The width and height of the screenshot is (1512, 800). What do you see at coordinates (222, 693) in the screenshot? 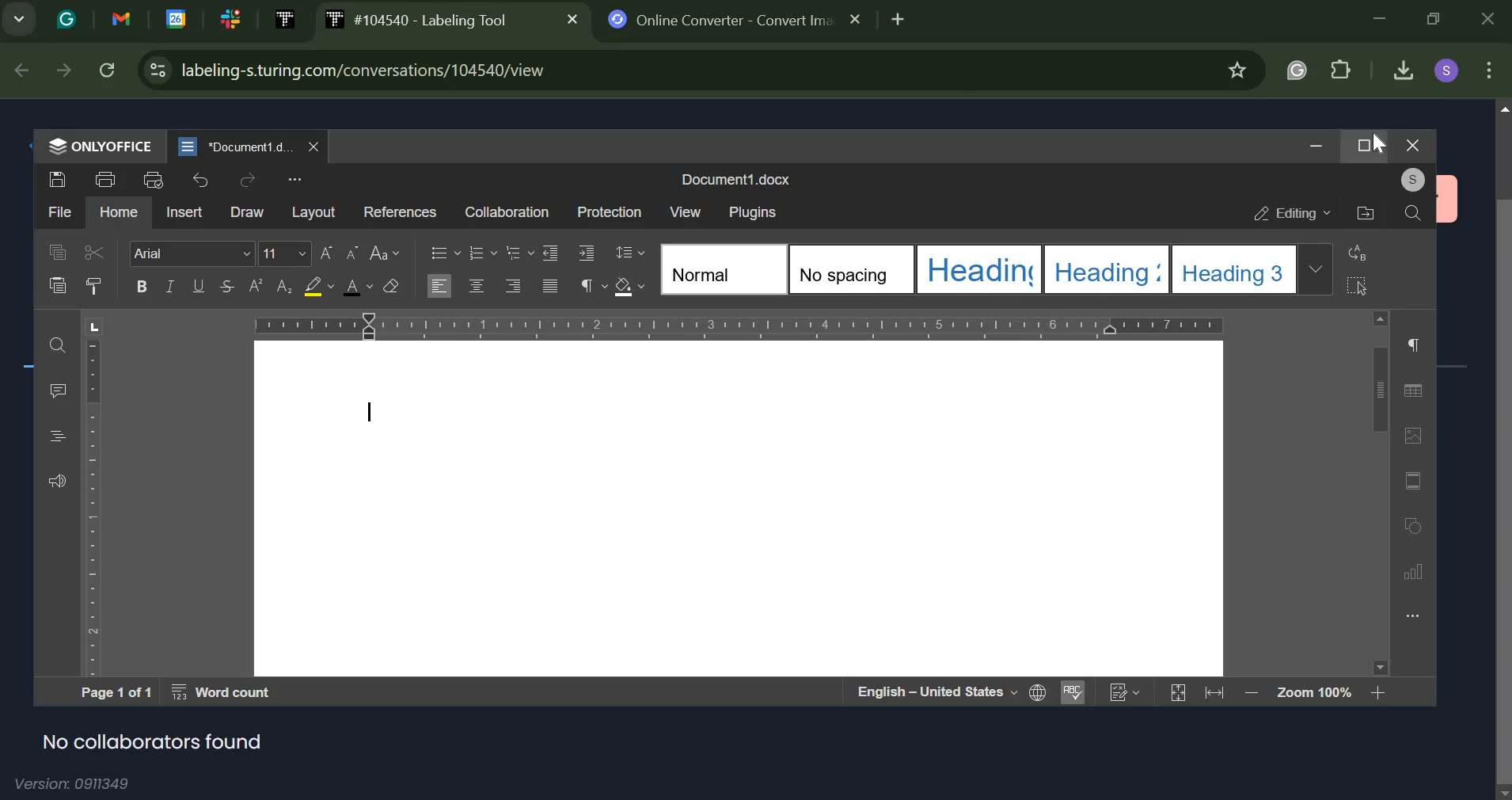
I see `Word count` at bounding box center [222, 693].